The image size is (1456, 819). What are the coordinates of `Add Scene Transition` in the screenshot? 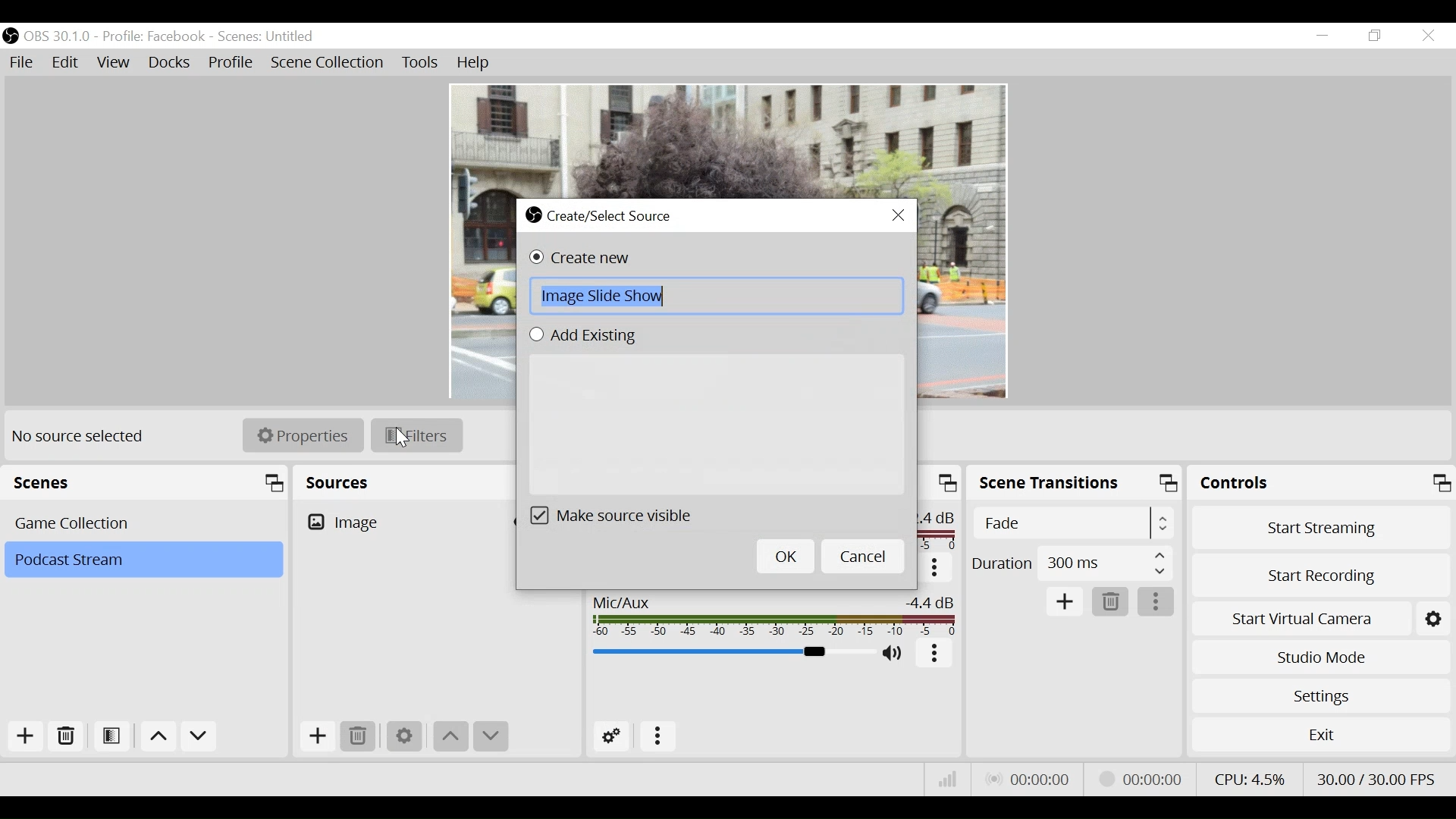 It's located at (1064, 602).